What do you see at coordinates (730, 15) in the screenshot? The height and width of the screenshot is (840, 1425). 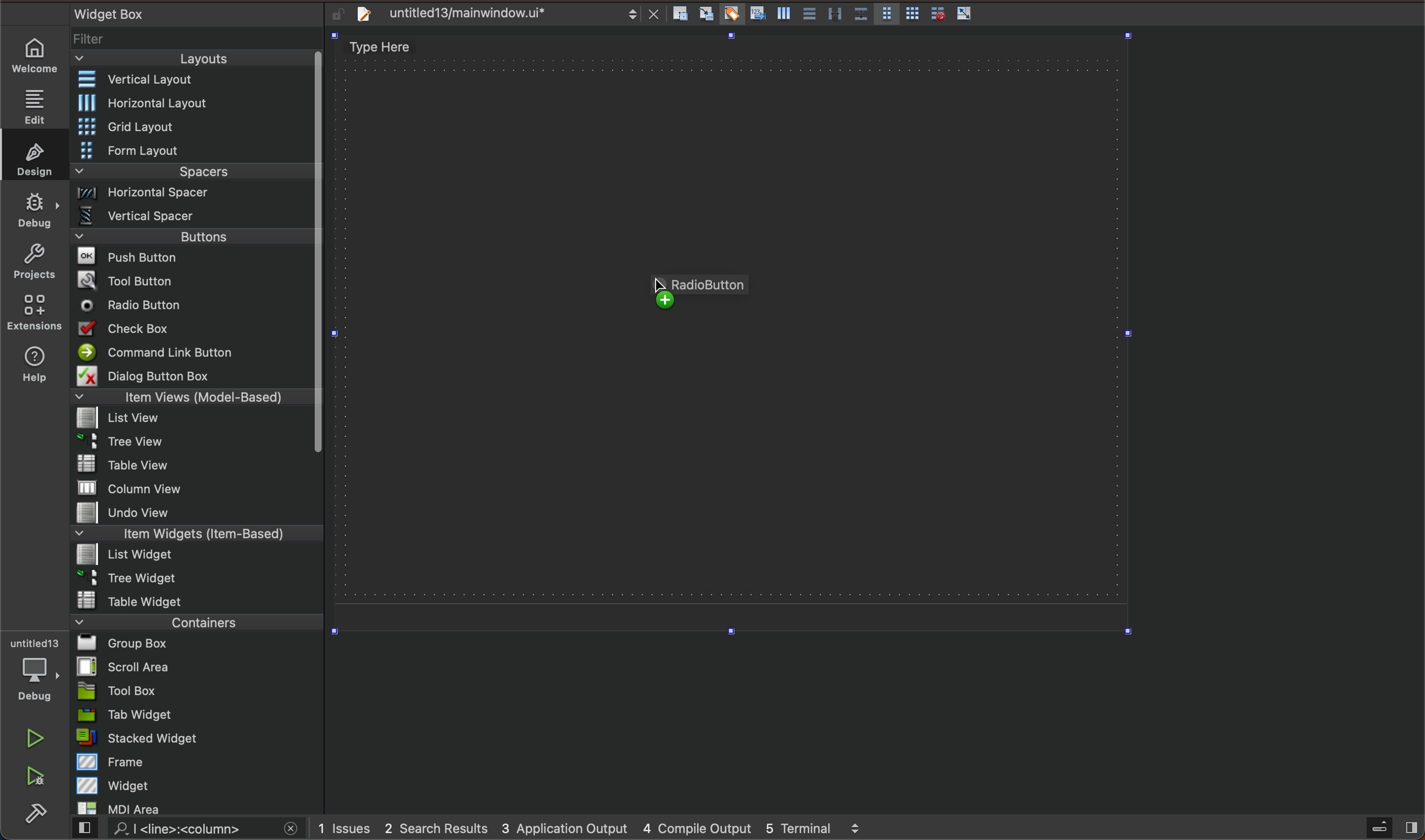 I see `` at bounding box center [730, 15].